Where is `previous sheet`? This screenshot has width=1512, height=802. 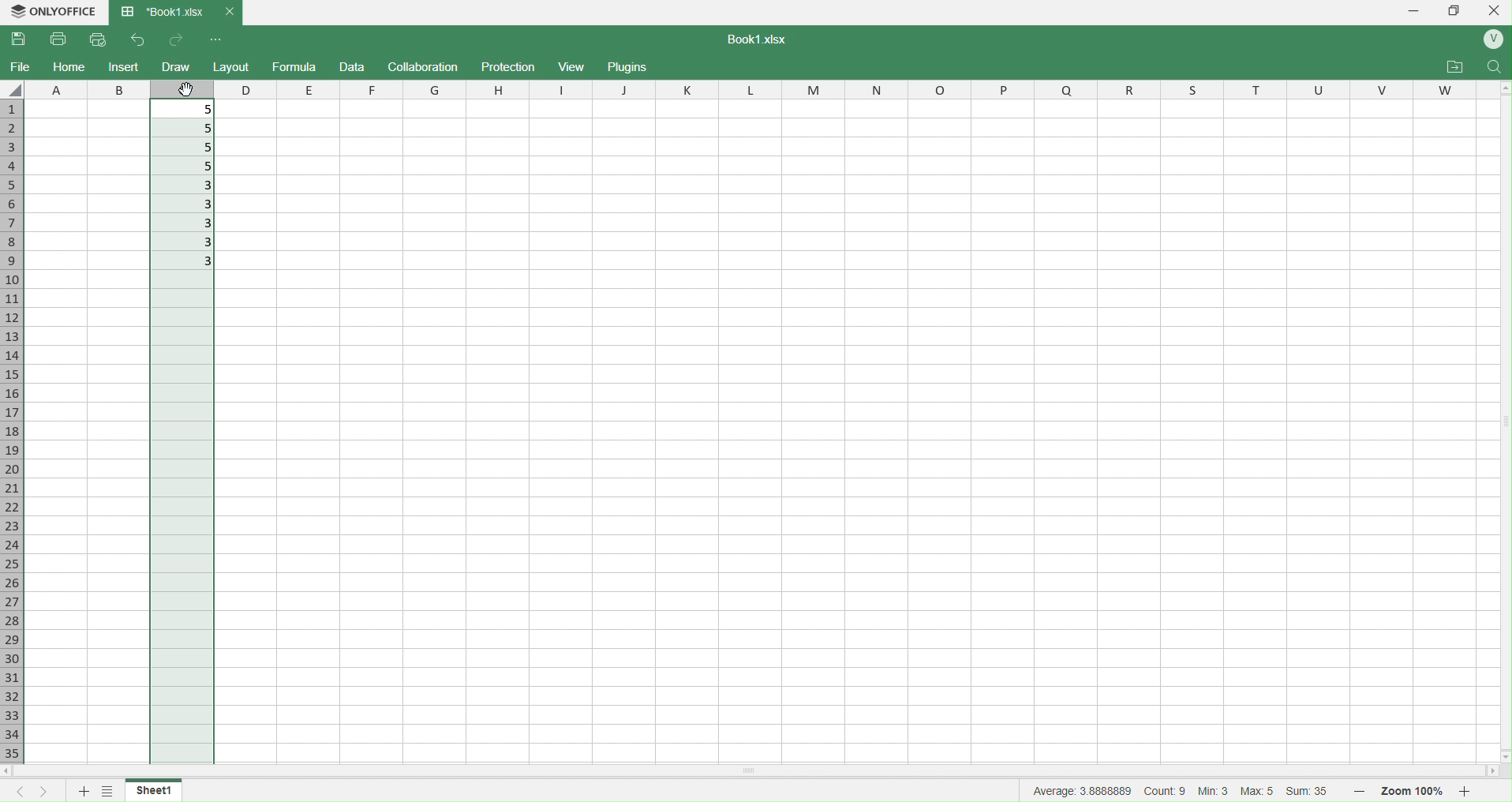
previous sheet is located at coordinates (23, 793).